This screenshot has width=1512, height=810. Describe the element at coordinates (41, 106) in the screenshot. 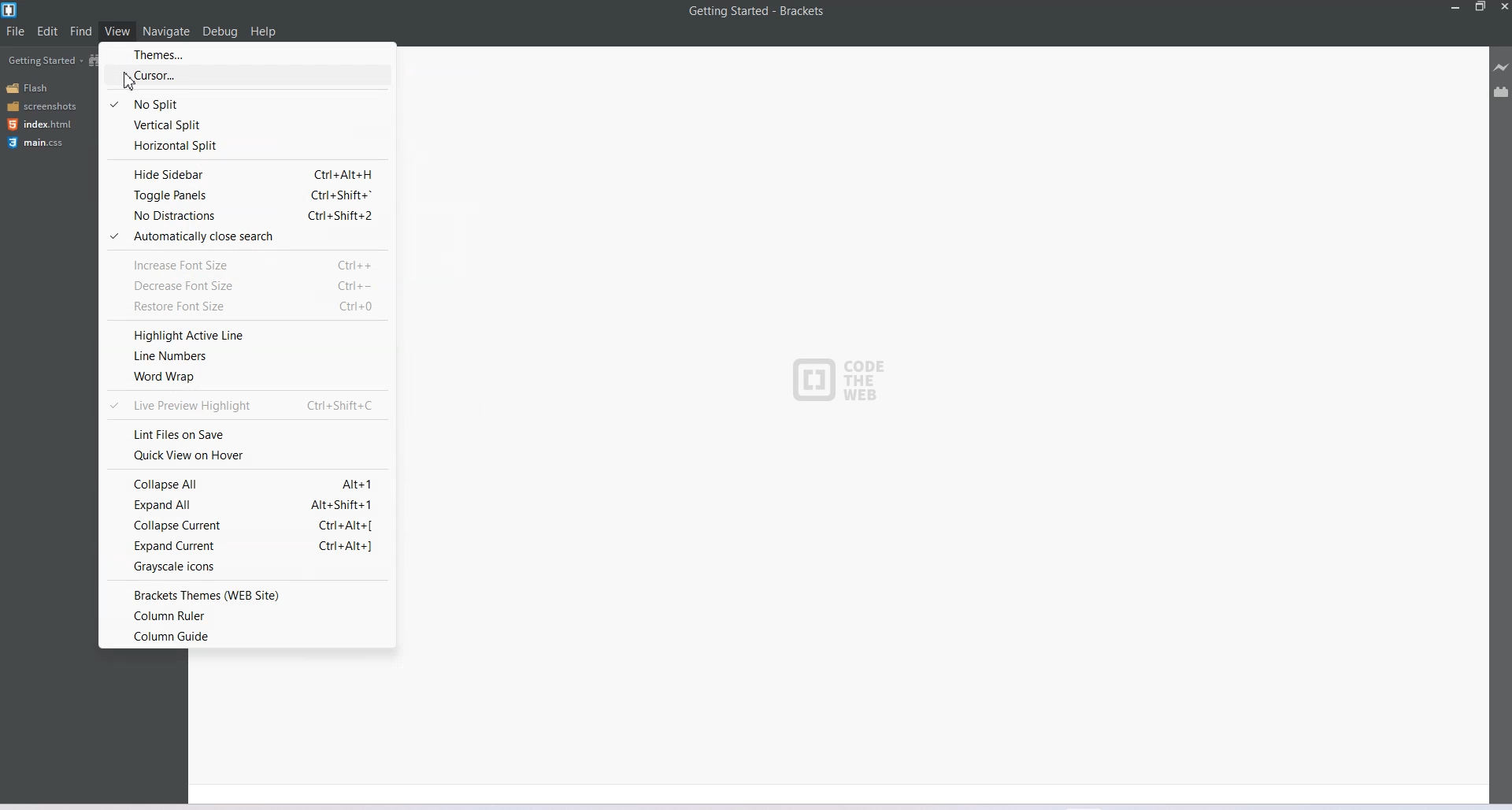

I see `Screenshots` at that location.